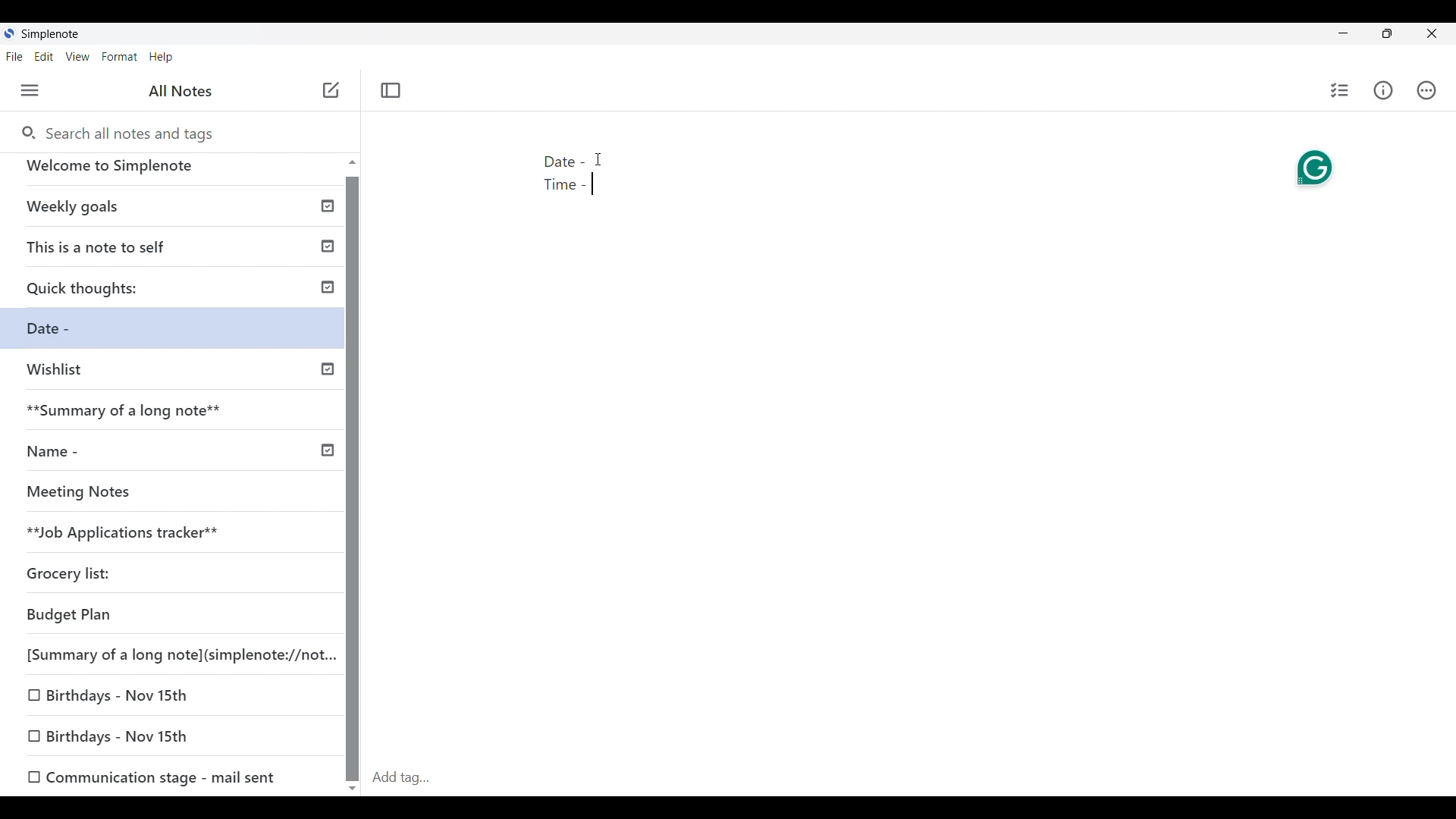  I want to click on Text pasted, so click(570, 175).